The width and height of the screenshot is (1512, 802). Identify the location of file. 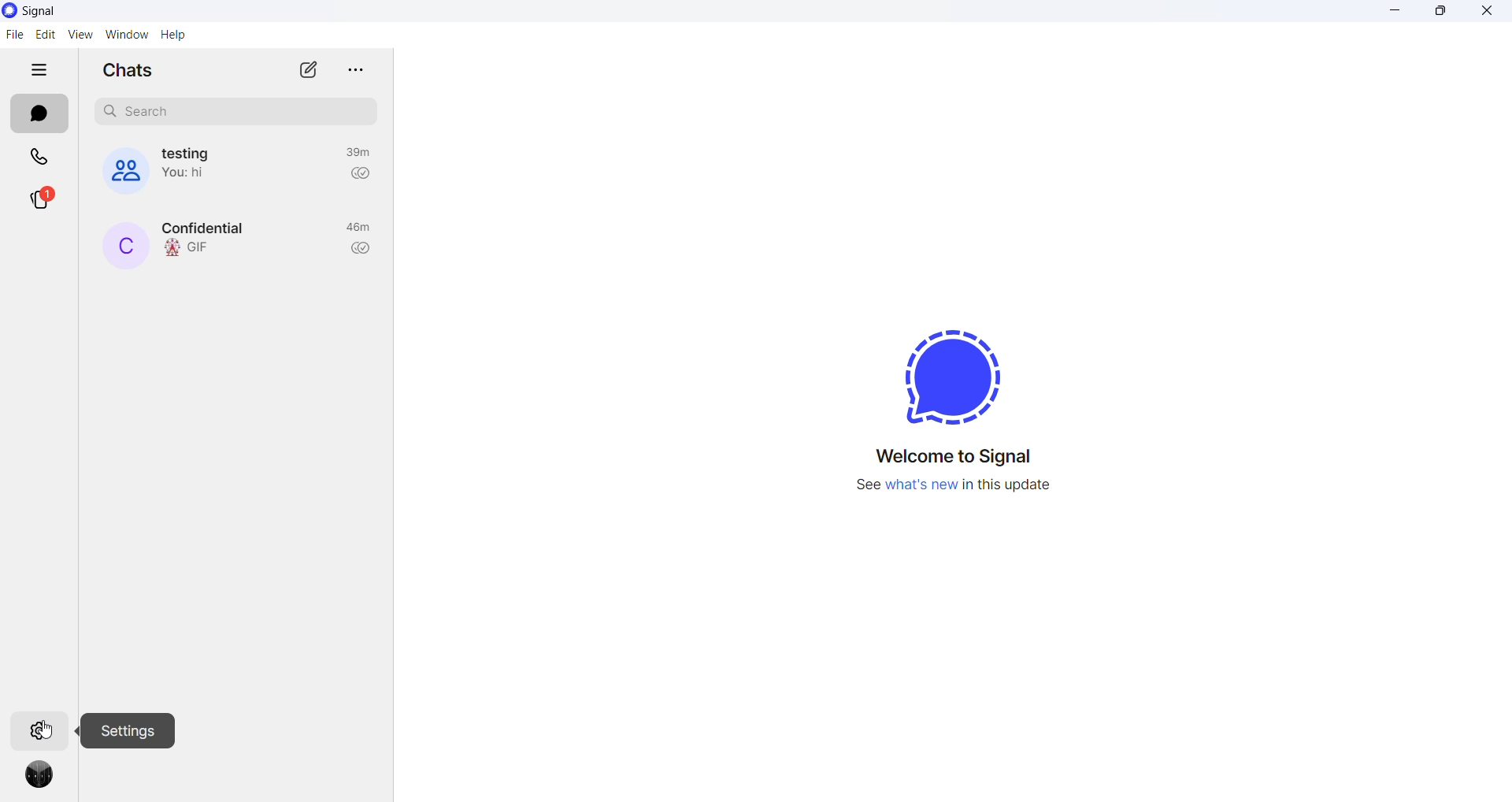
(14, 35).